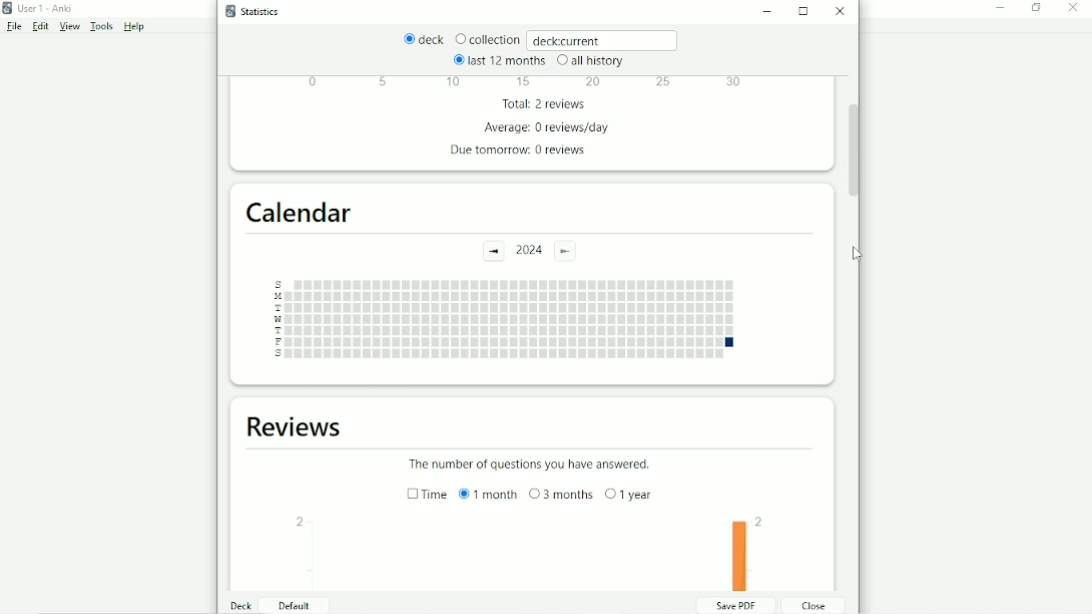 The image size is (1092, 614). What do you see at coordinates (589, 61) in the screenshot?
I see `all history` at bounding box center [589, 61].